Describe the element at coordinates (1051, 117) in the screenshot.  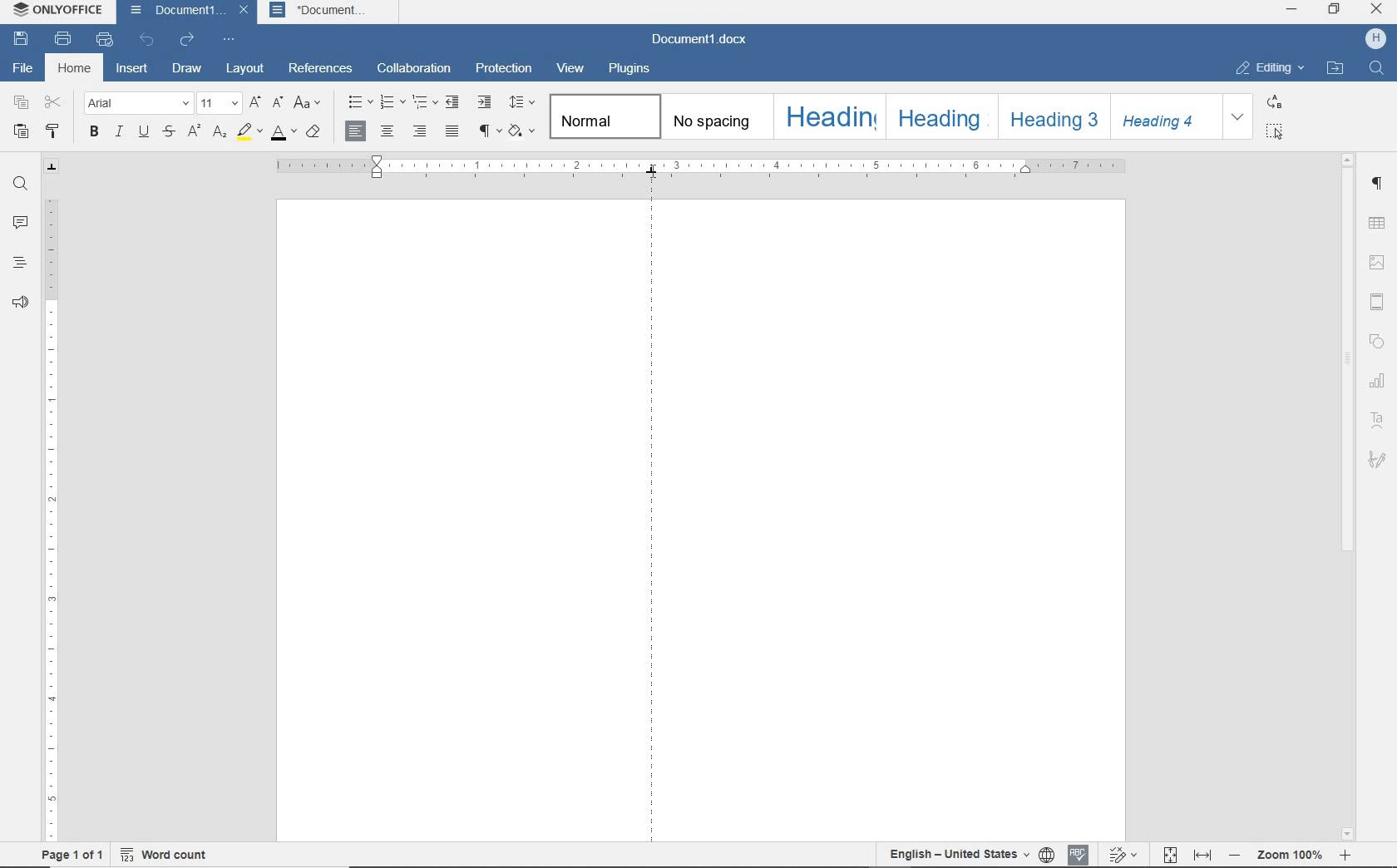
I see `HEADING 3` at that location.